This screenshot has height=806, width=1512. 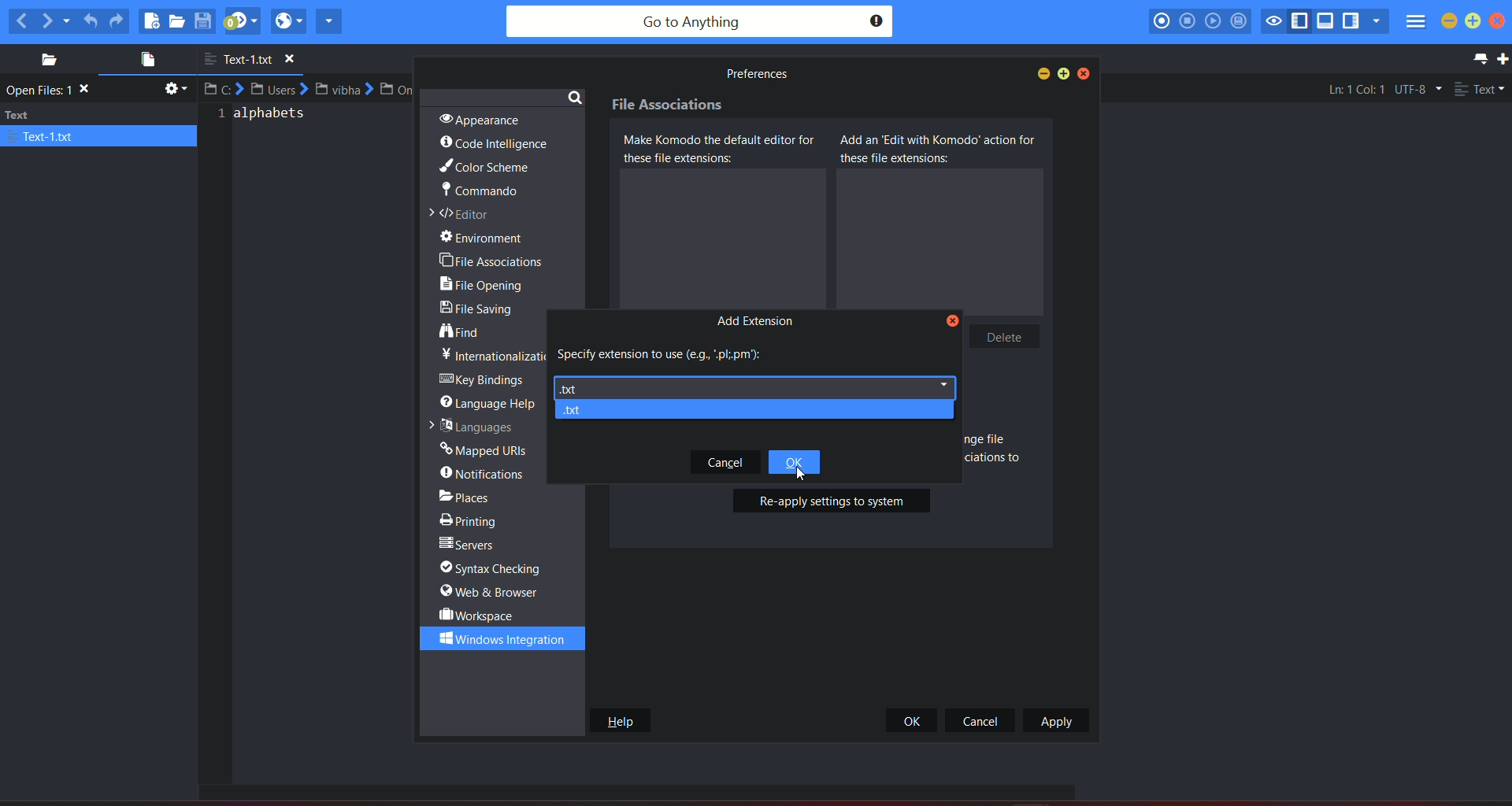 What do you see at coordinates (1186, 20) in the screenshot?
I see `stop recording` at bounding box center [1186, 20].